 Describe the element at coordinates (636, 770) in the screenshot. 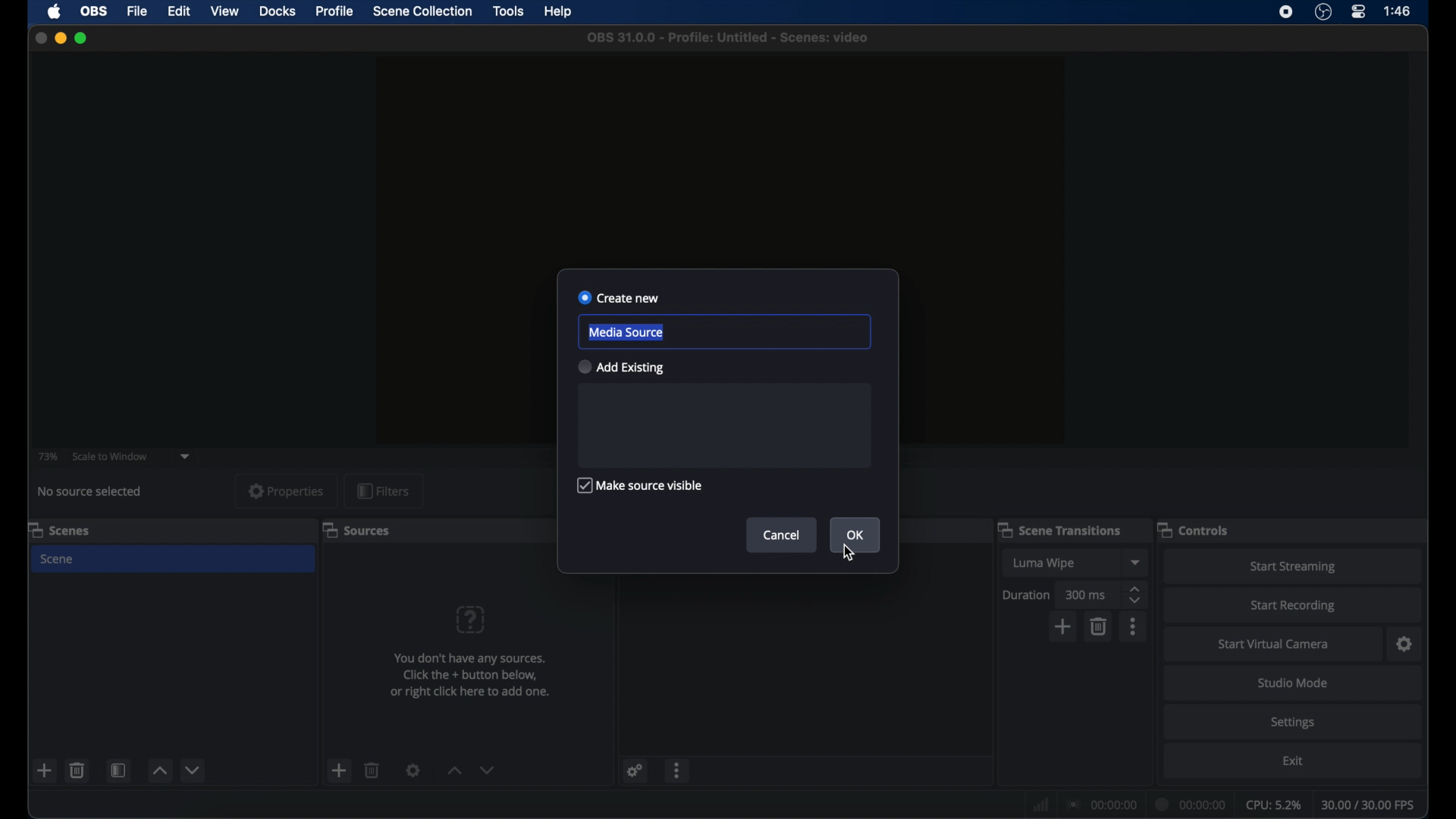

I see `settings` at that location.